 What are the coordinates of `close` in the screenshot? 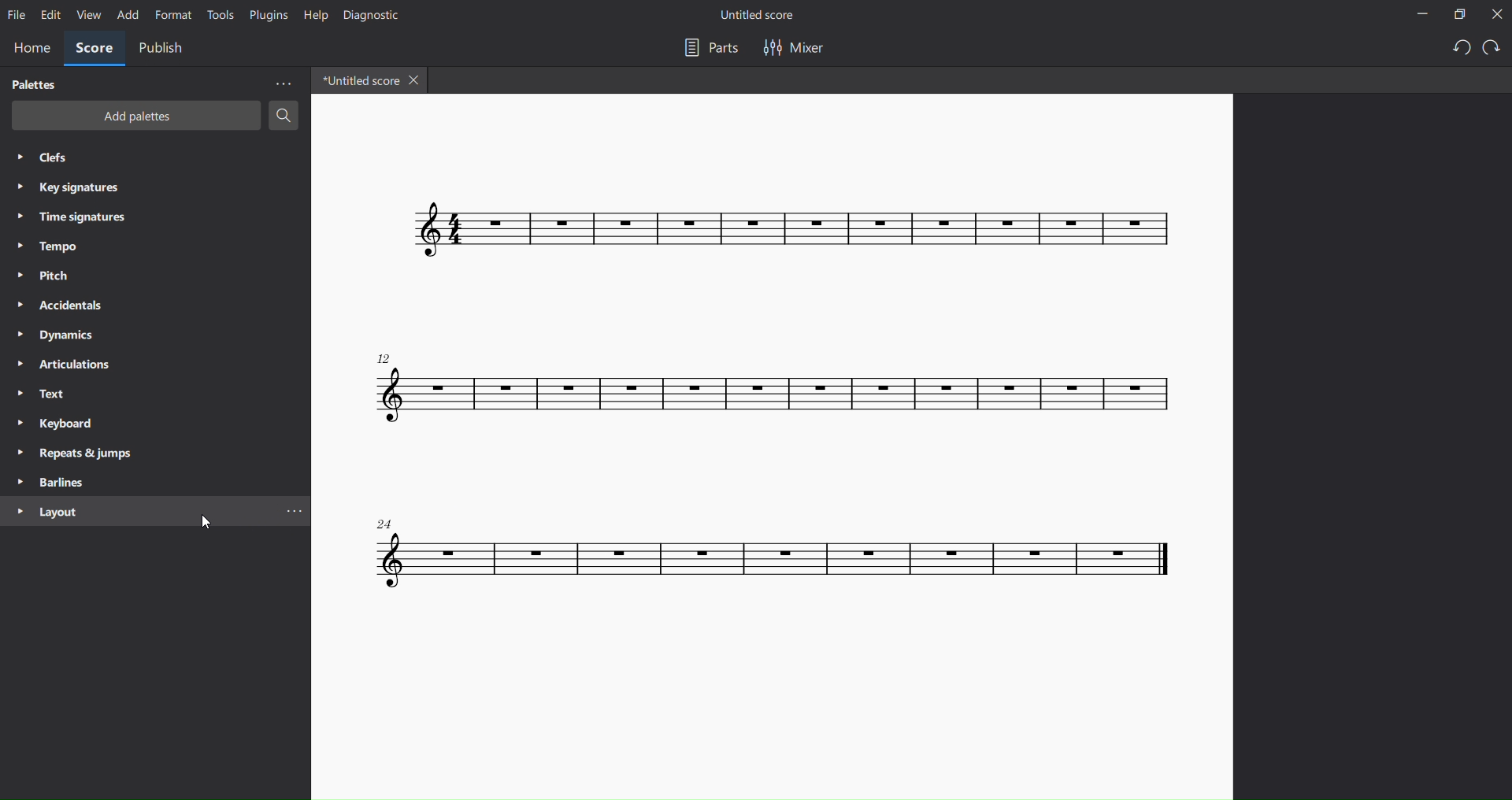 It's located at (1495, 15).